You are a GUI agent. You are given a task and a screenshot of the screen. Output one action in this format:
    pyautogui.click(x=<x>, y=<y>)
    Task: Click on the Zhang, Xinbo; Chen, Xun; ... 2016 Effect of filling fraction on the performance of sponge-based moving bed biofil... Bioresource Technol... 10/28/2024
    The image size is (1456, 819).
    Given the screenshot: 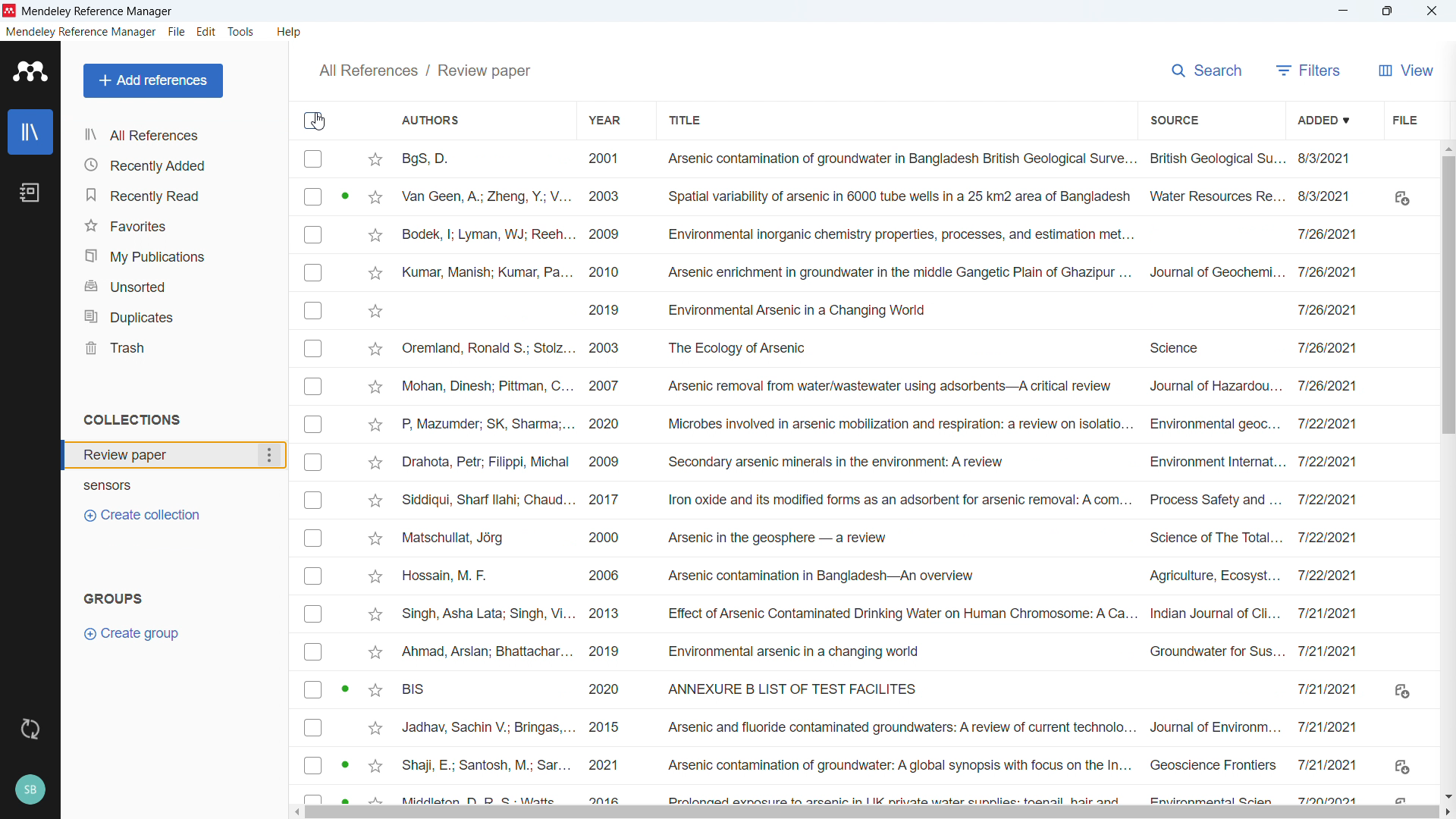 What is the action you would take?
    pyautogui.click(x=883, y=461)
    